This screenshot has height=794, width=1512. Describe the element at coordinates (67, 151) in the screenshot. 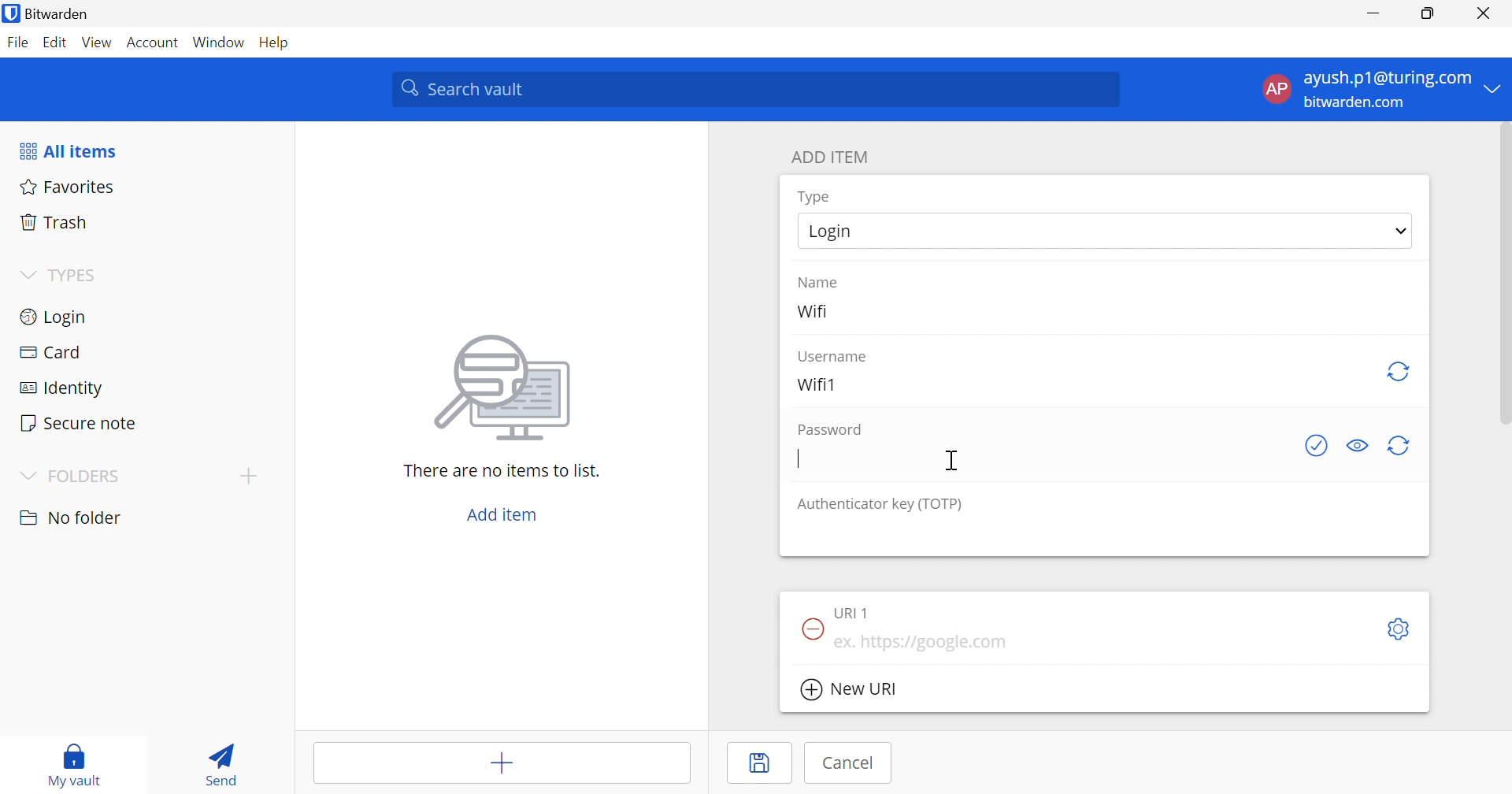

I see `All items` at that location.